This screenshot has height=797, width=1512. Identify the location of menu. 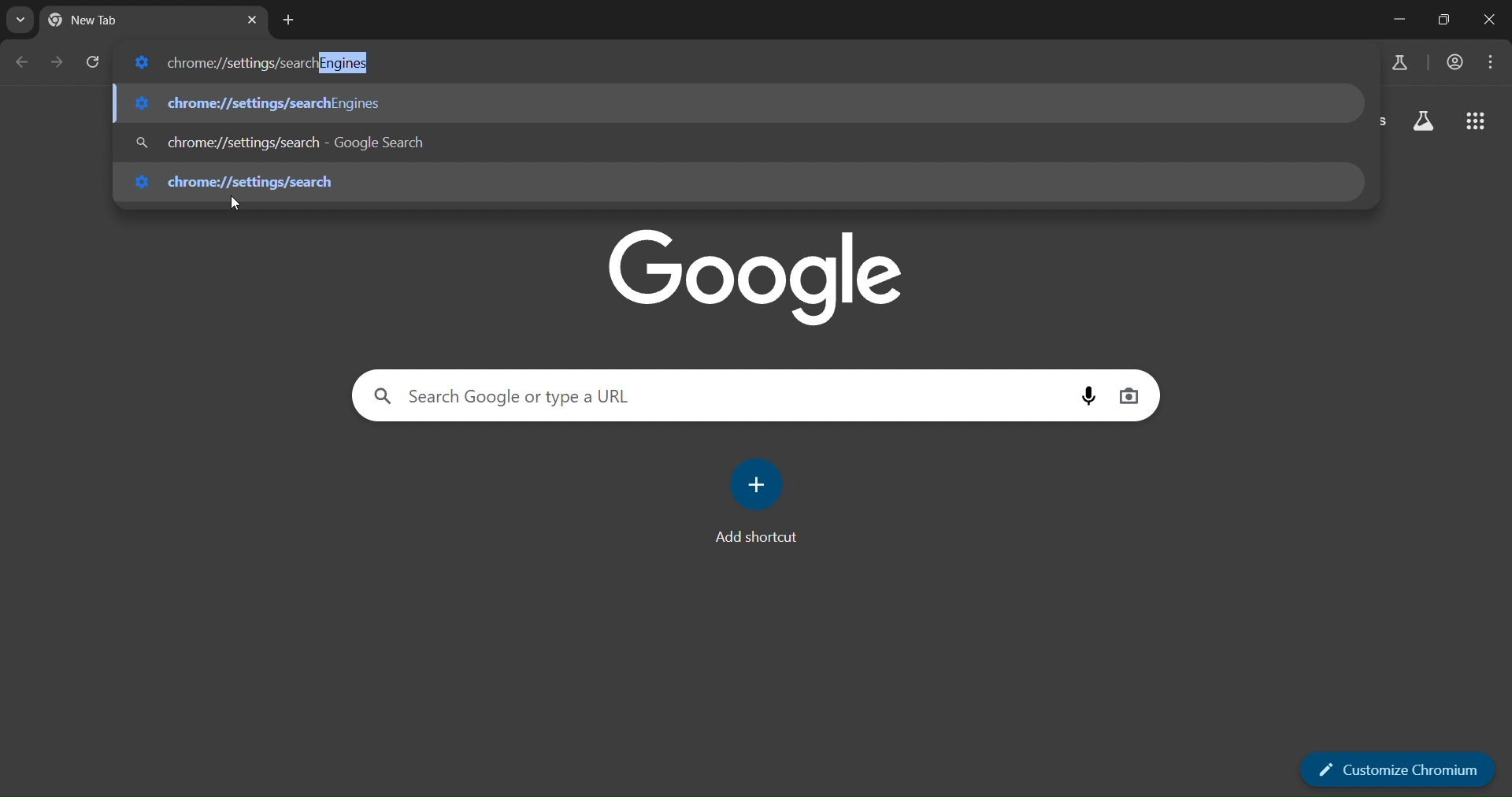
(1492, 63).